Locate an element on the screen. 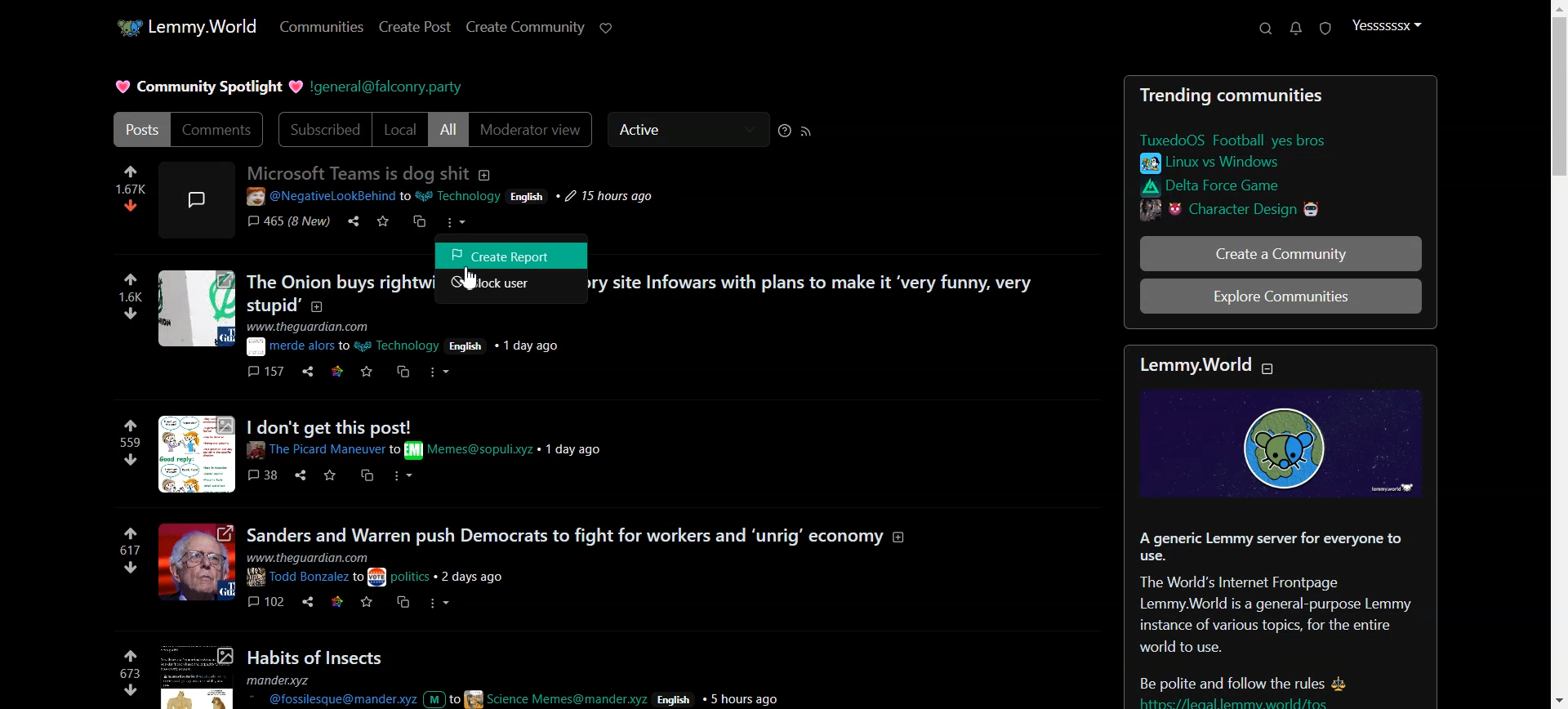 The width and height of the screenshot is (1568, 709). comments is located at coordinates (266, 475).